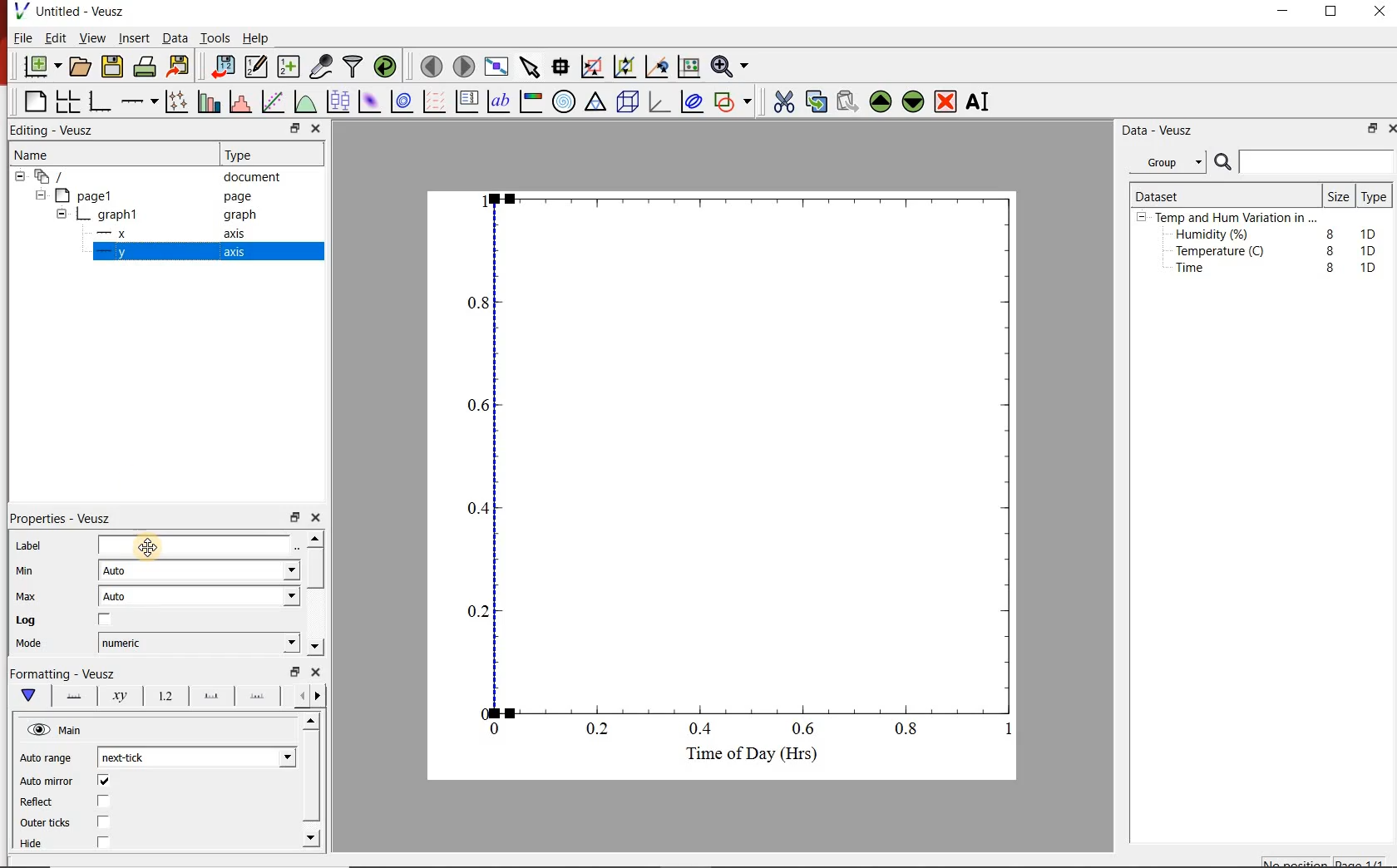  I want to click on next-tick, so click(136, 757).